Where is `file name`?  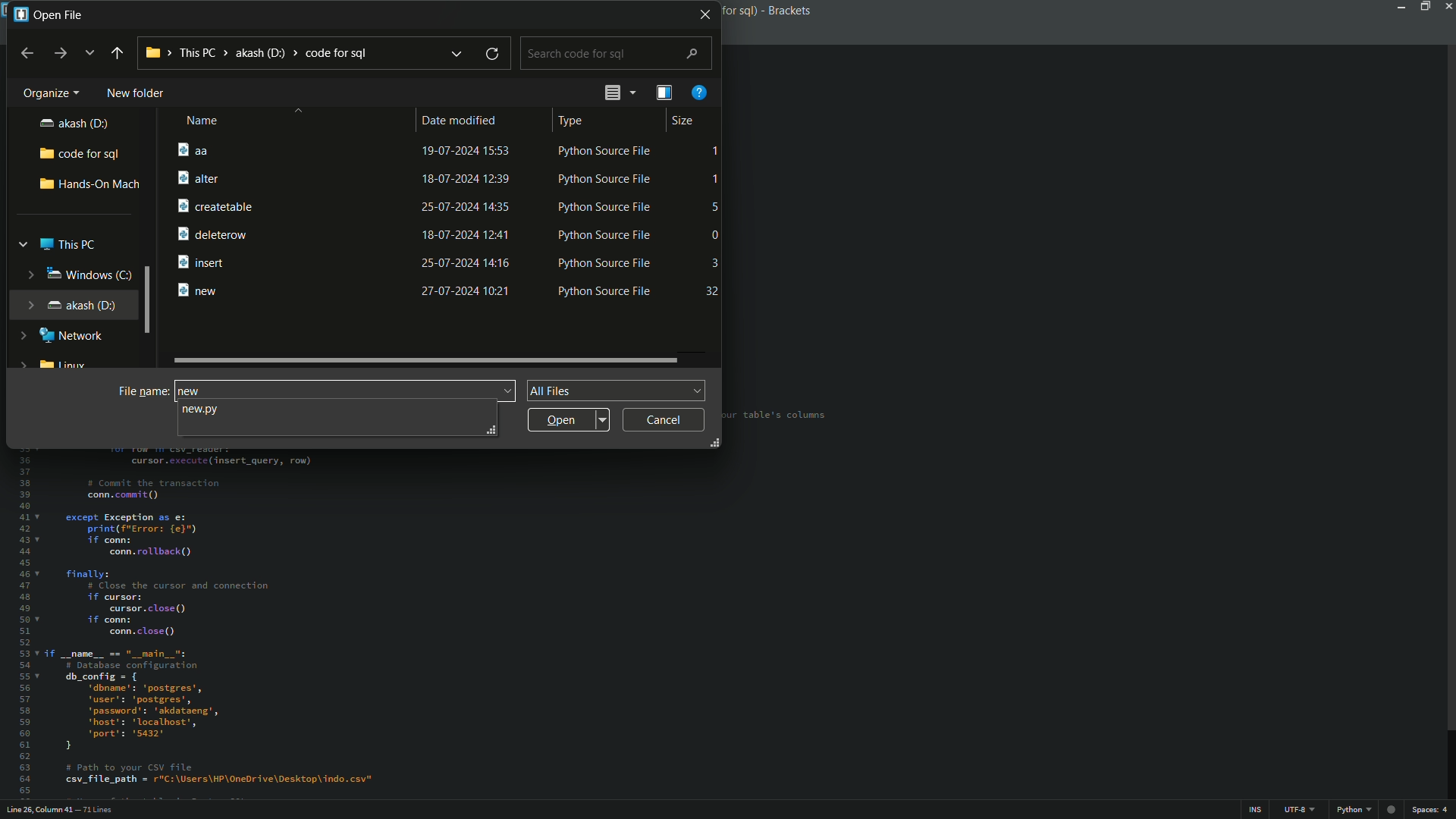 file name is located at coordinates (141, 391).